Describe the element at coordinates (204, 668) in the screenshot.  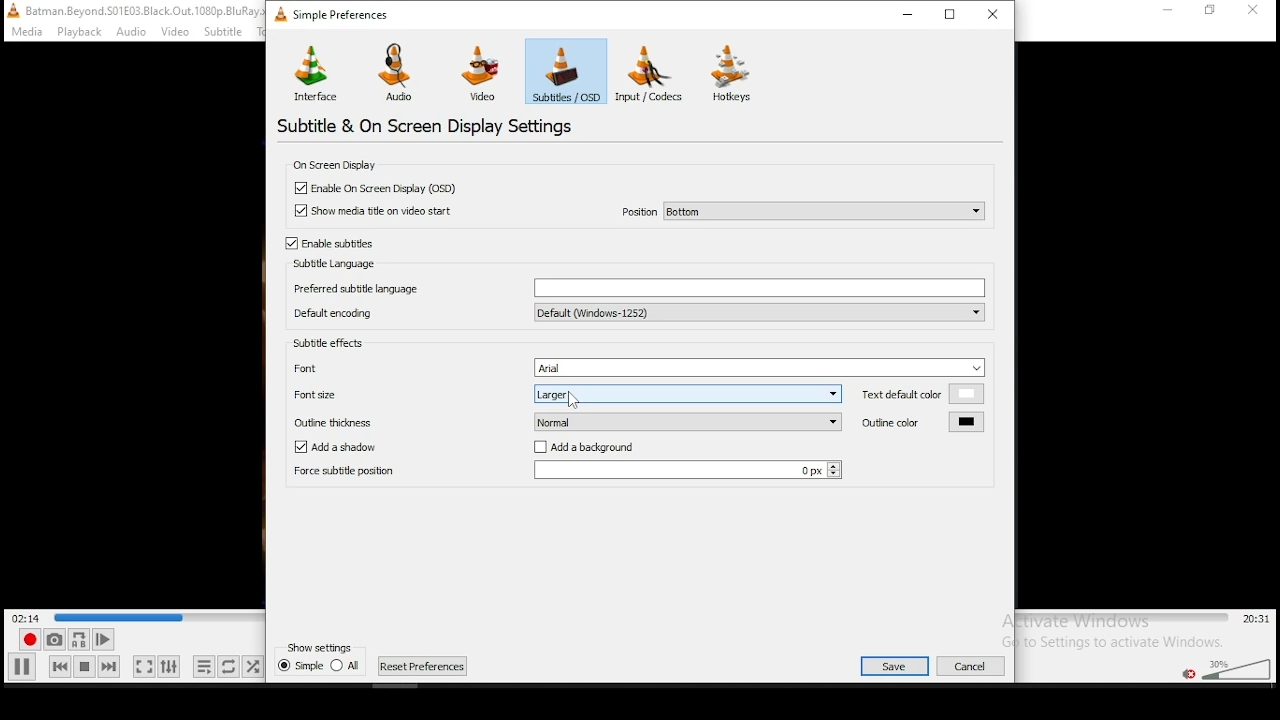
I see `toggle playlist` at that location.